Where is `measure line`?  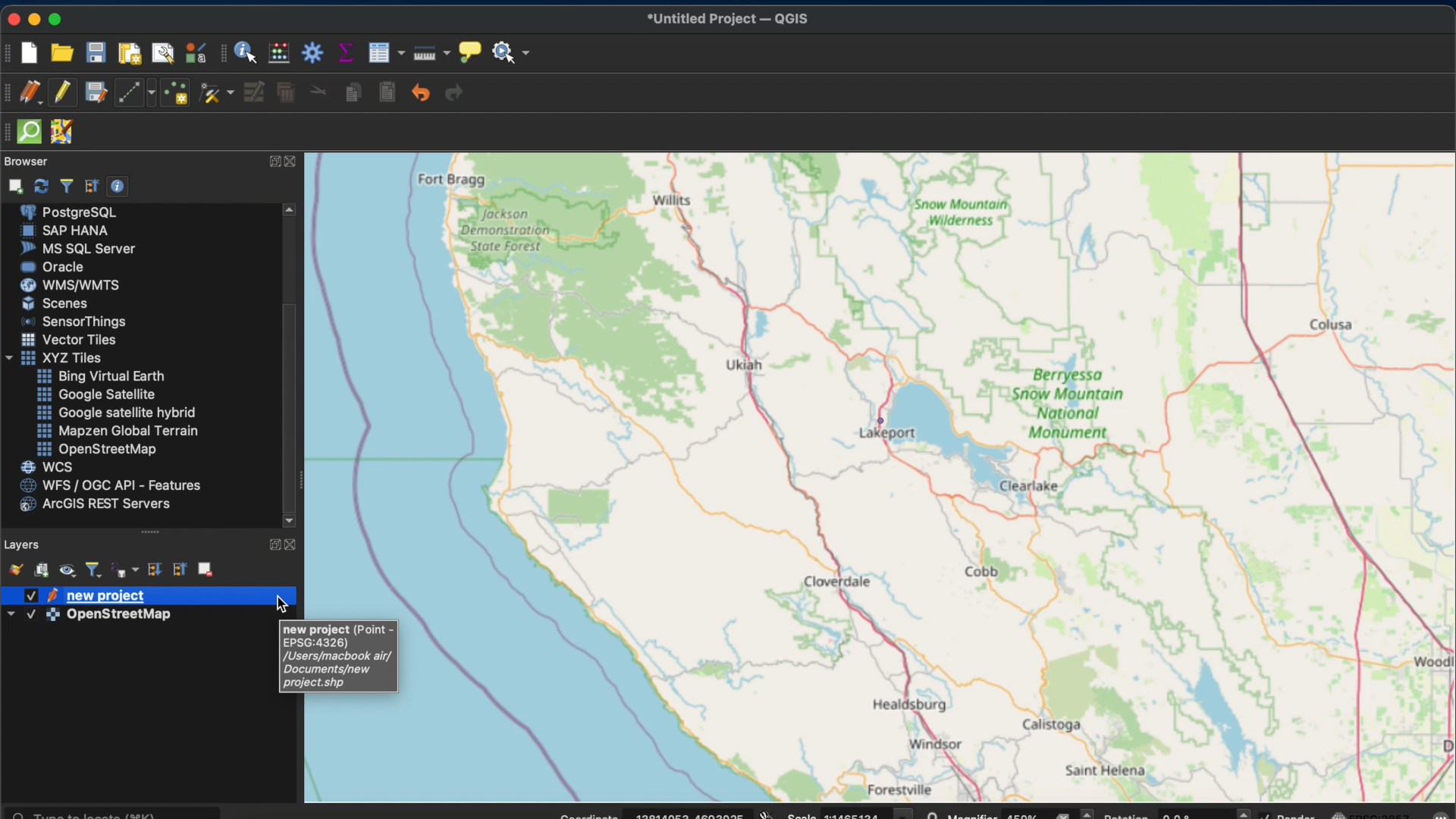
measure line is located at coordinates (428, 53).